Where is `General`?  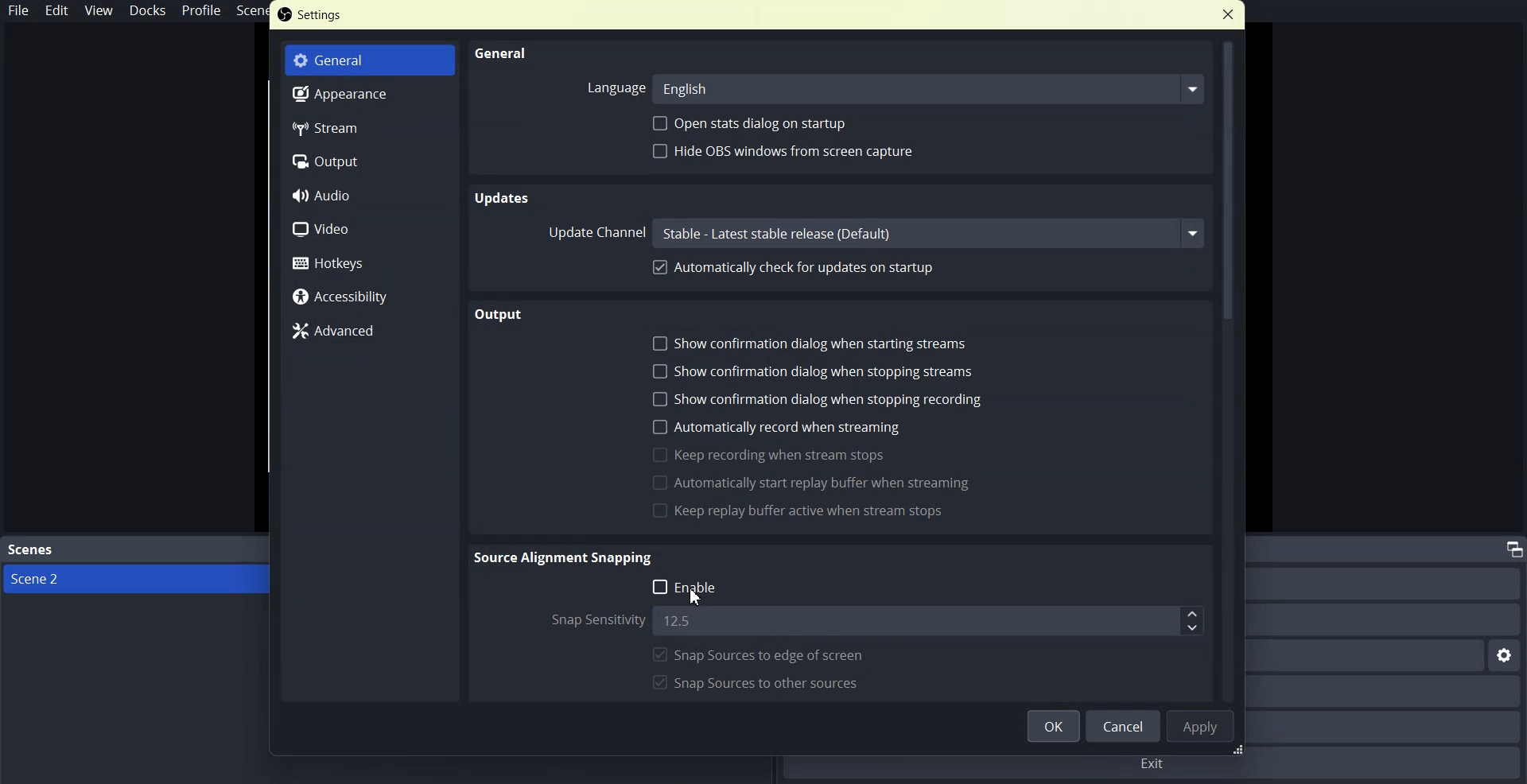 General is located at coordinates (370, 61).